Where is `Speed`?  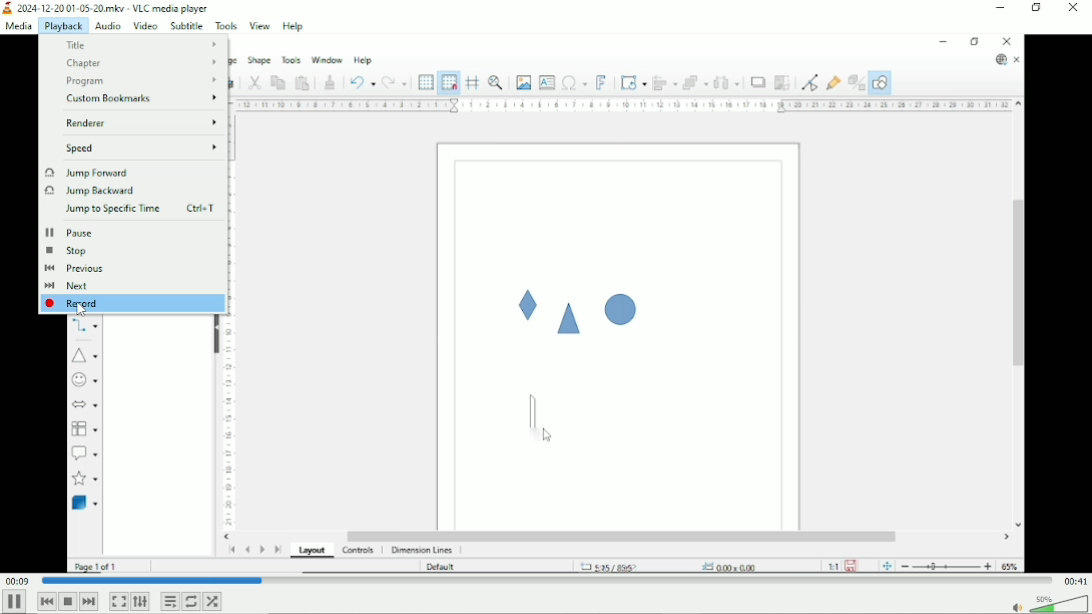 Speed is located at coordinates (140, 149).